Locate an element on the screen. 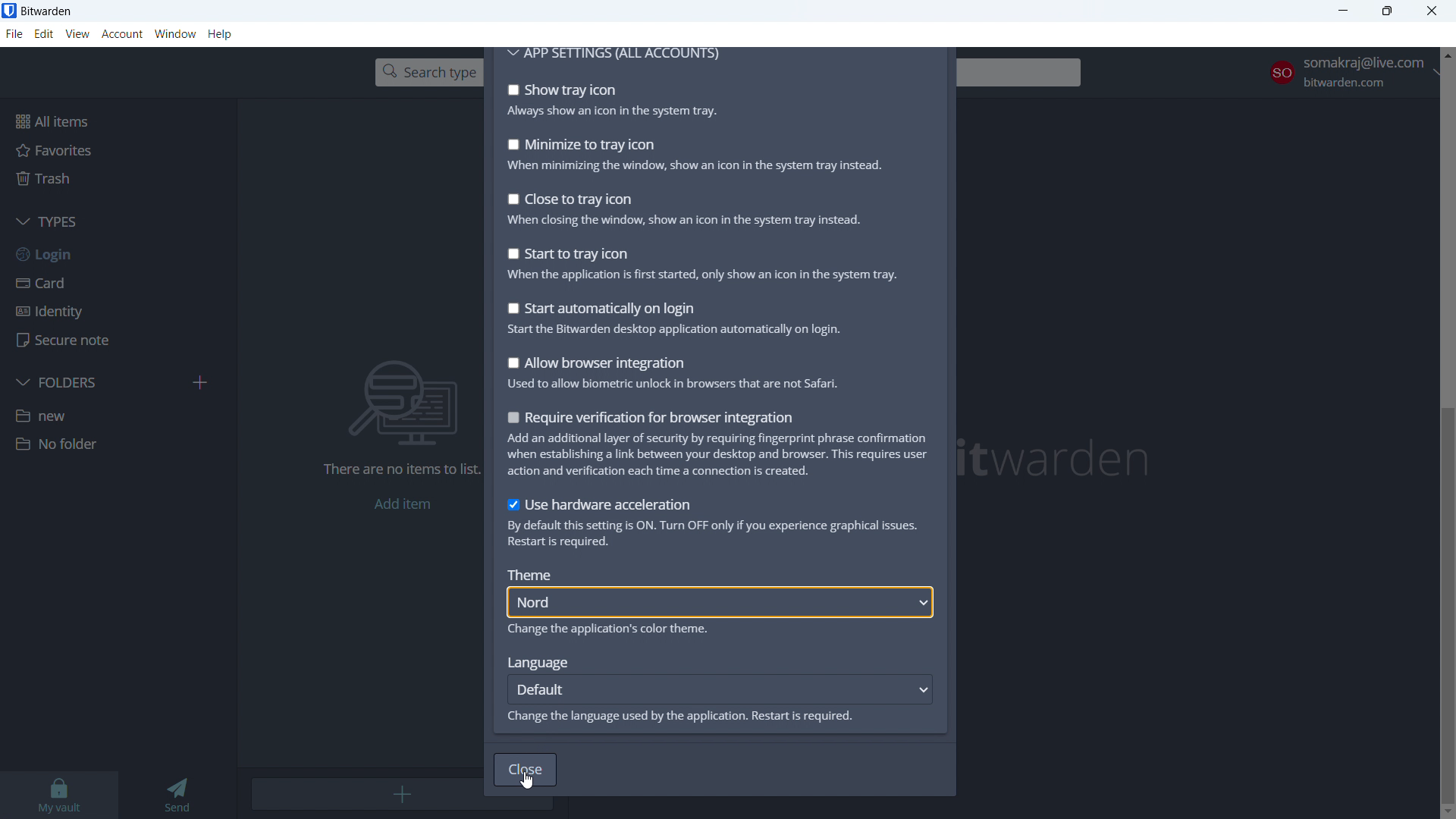 This screenshot has height=819, width=1456. send is located at coordinates (174, 795).